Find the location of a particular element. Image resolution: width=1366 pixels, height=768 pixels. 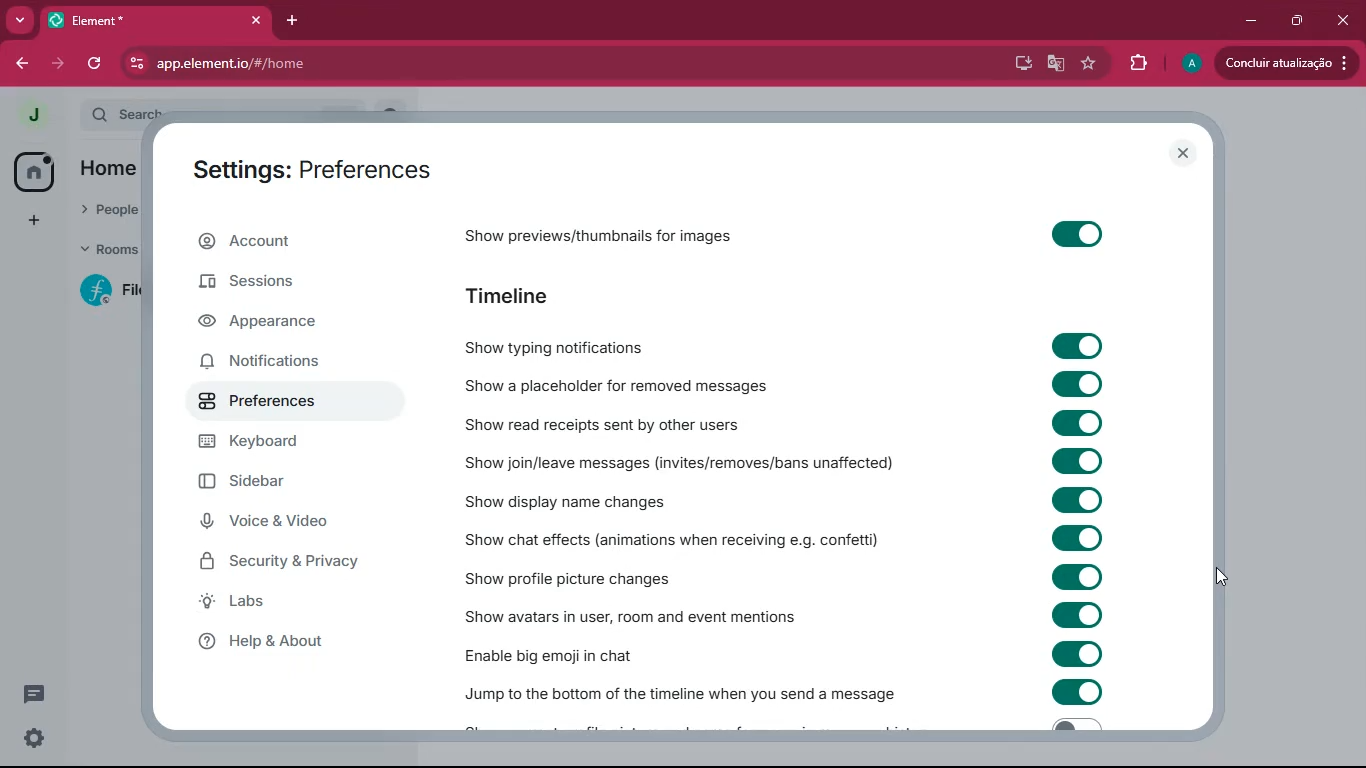

sidebar is located at coordinates (287, 484).